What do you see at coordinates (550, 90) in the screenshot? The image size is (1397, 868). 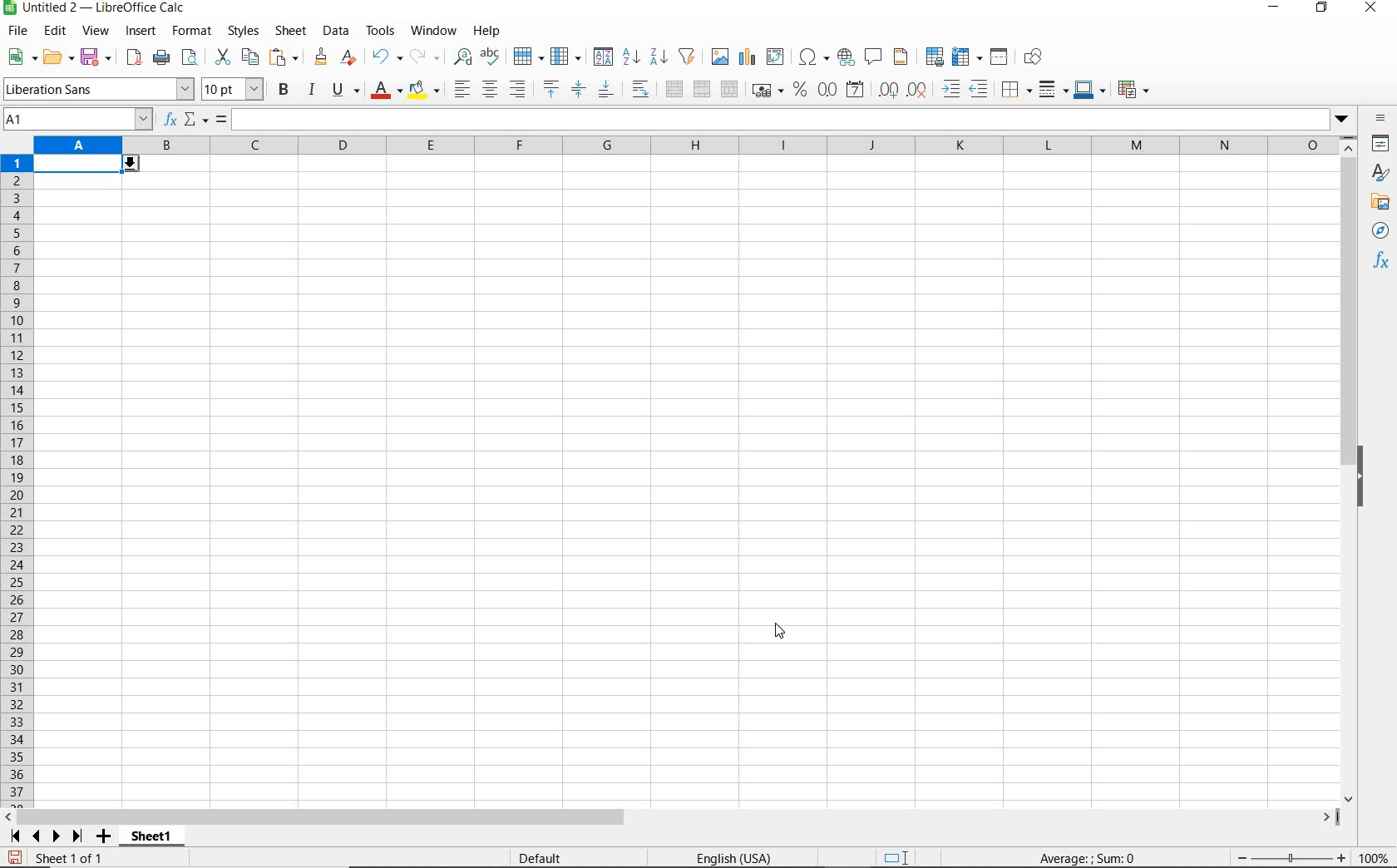 I see `align top` at bounding box center [550, 90].